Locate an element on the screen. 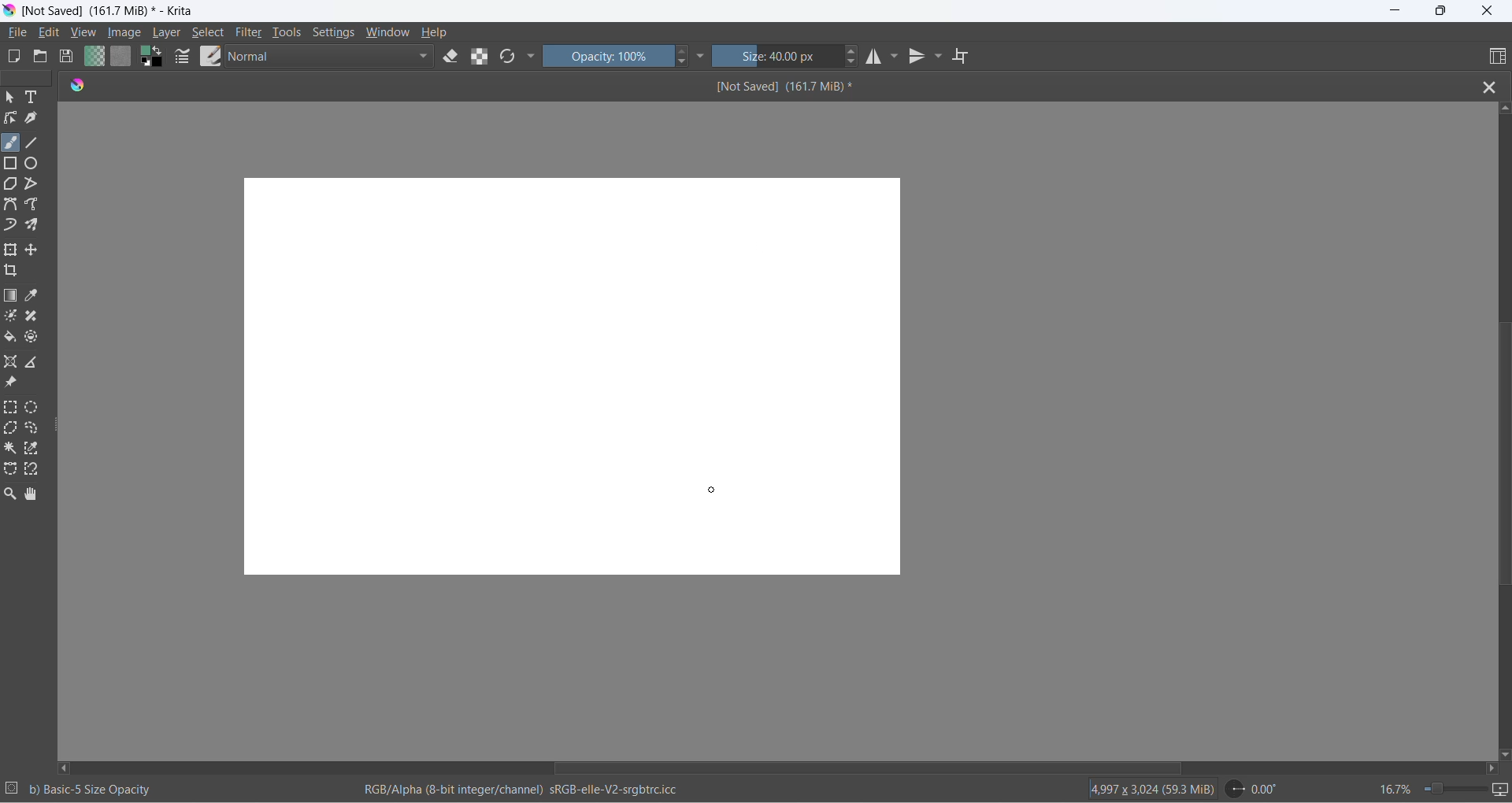  rectangle tool is located at coordinates (13, 162).